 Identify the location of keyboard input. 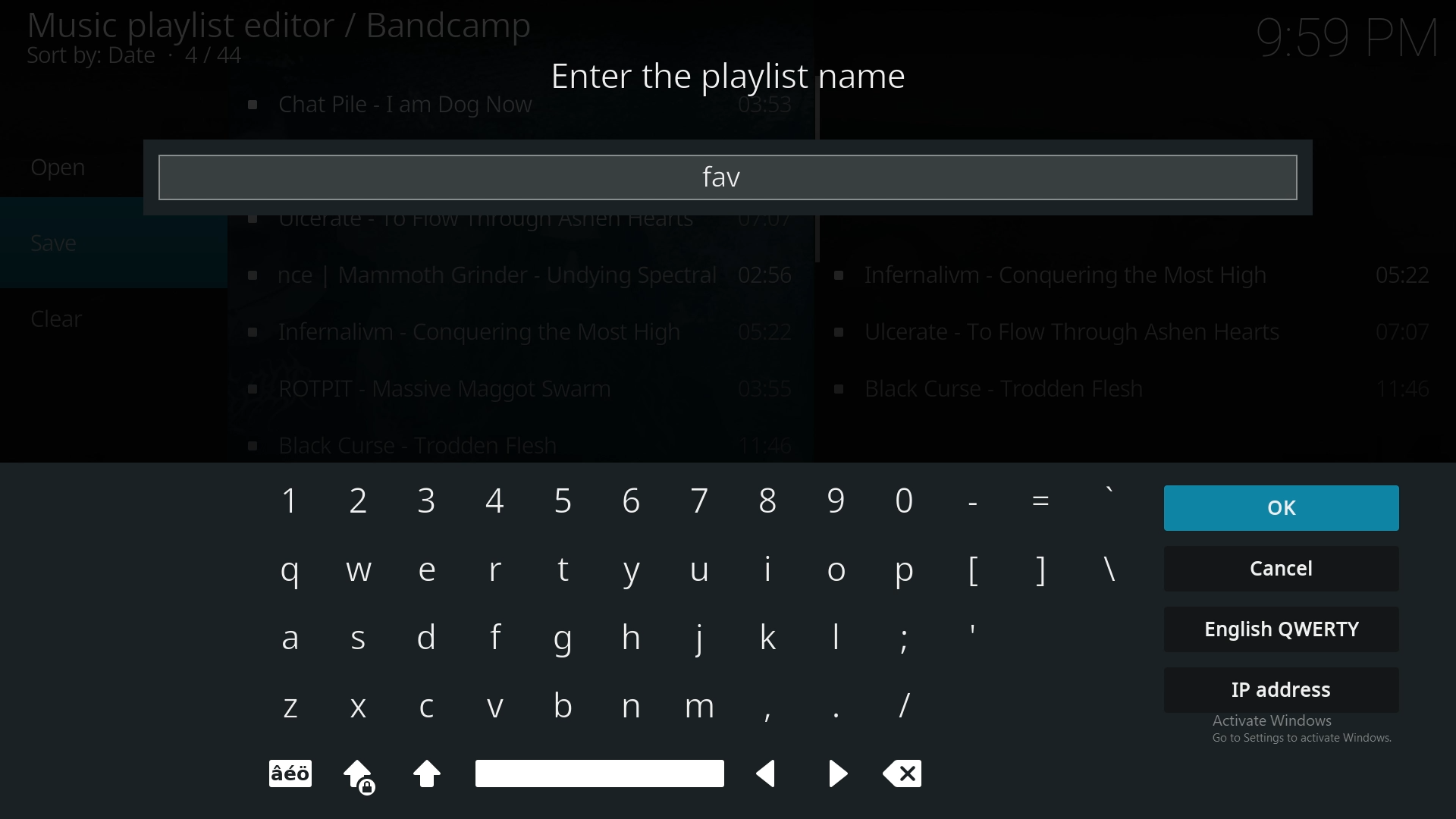
(977, 629).